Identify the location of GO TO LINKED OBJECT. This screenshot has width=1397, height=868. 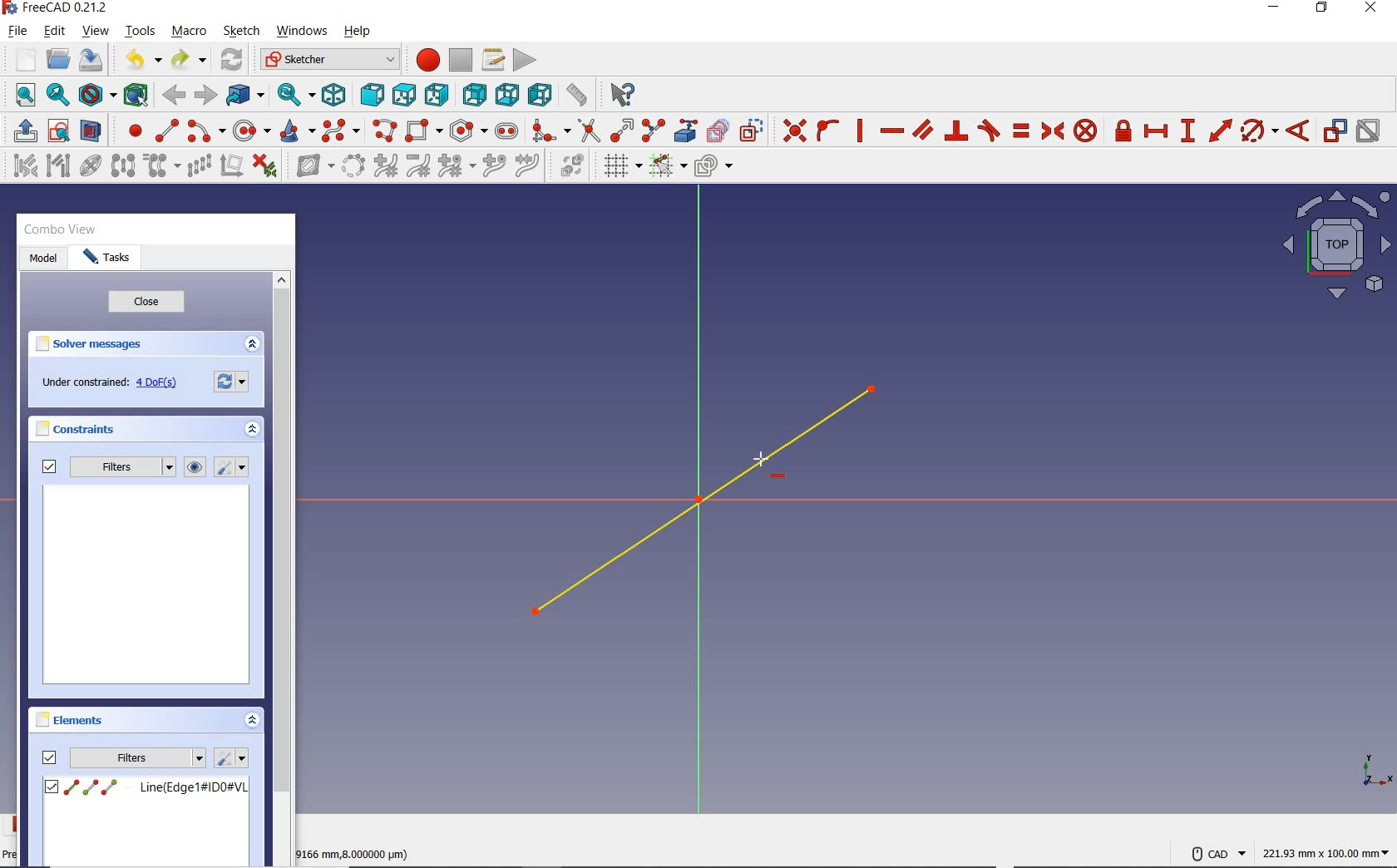
(246, 96).